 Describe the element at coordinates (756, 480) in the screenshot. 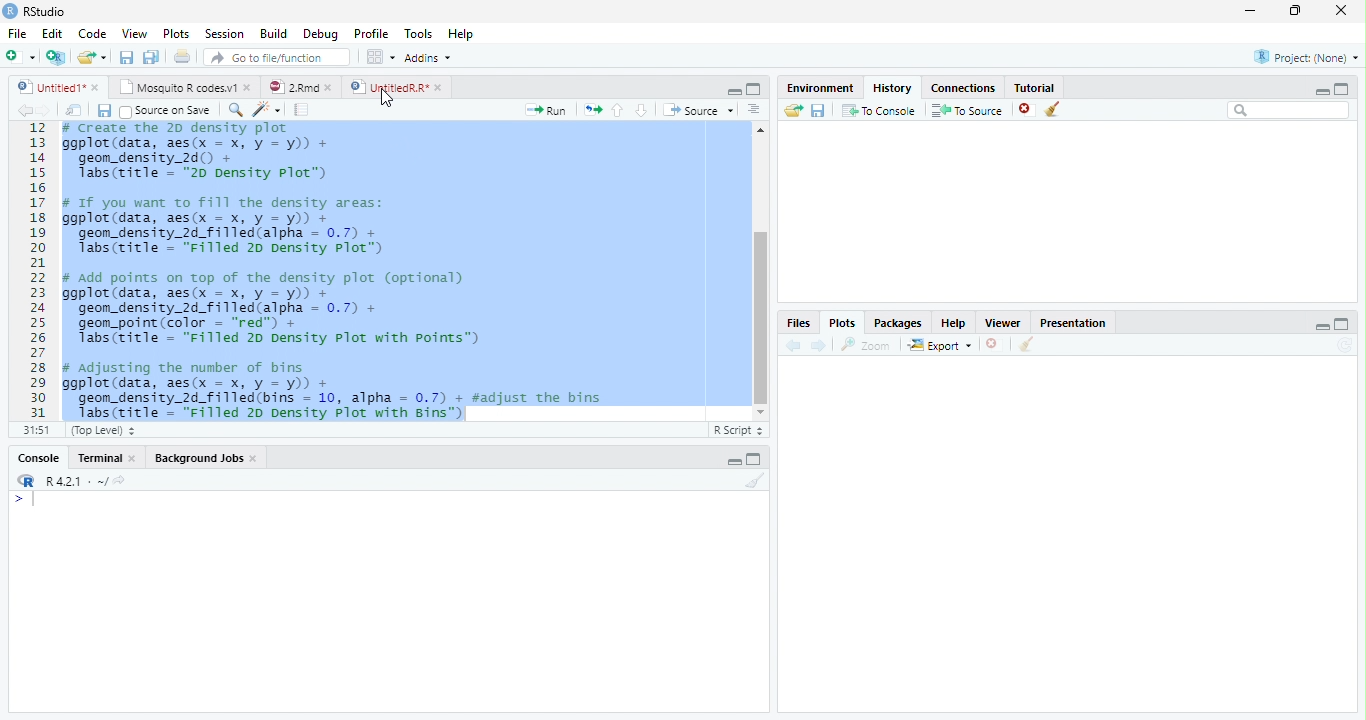

I see `Clear` at that location.